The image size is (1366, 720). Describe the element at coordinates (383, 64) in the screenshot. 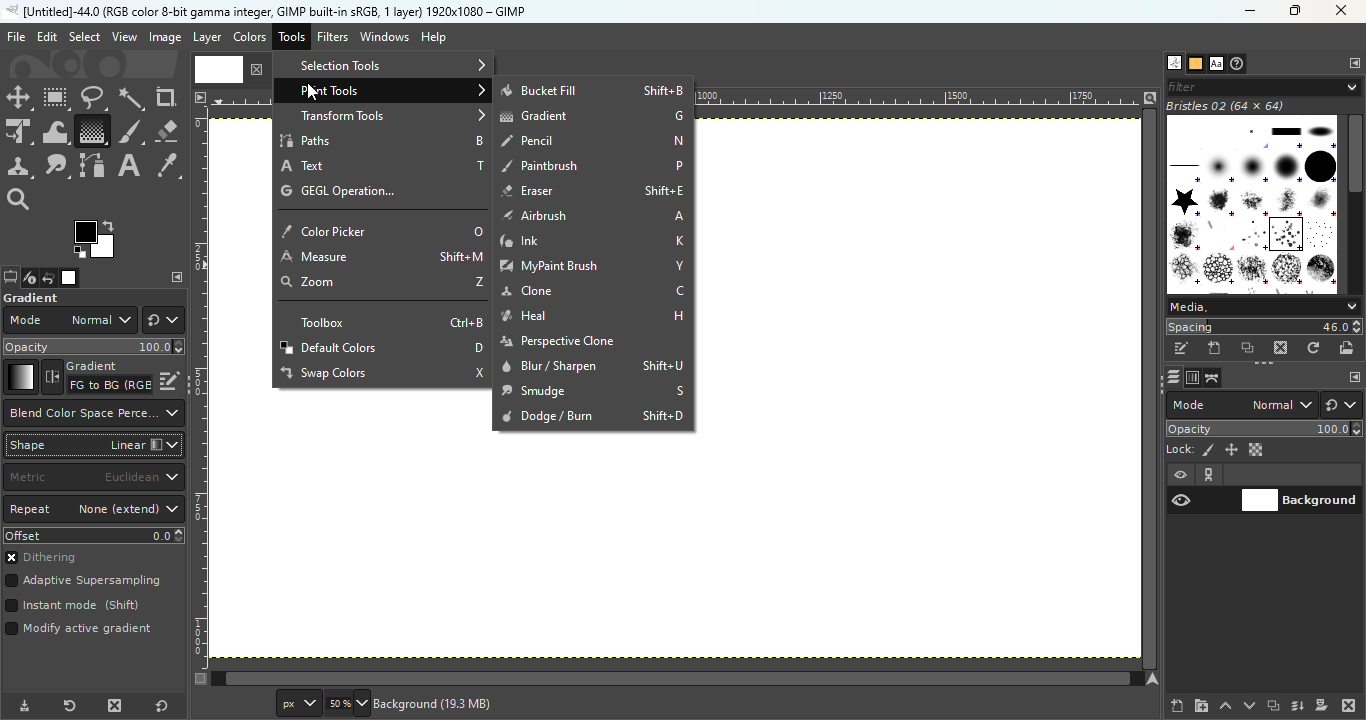

I see `Selection tools` at that location.